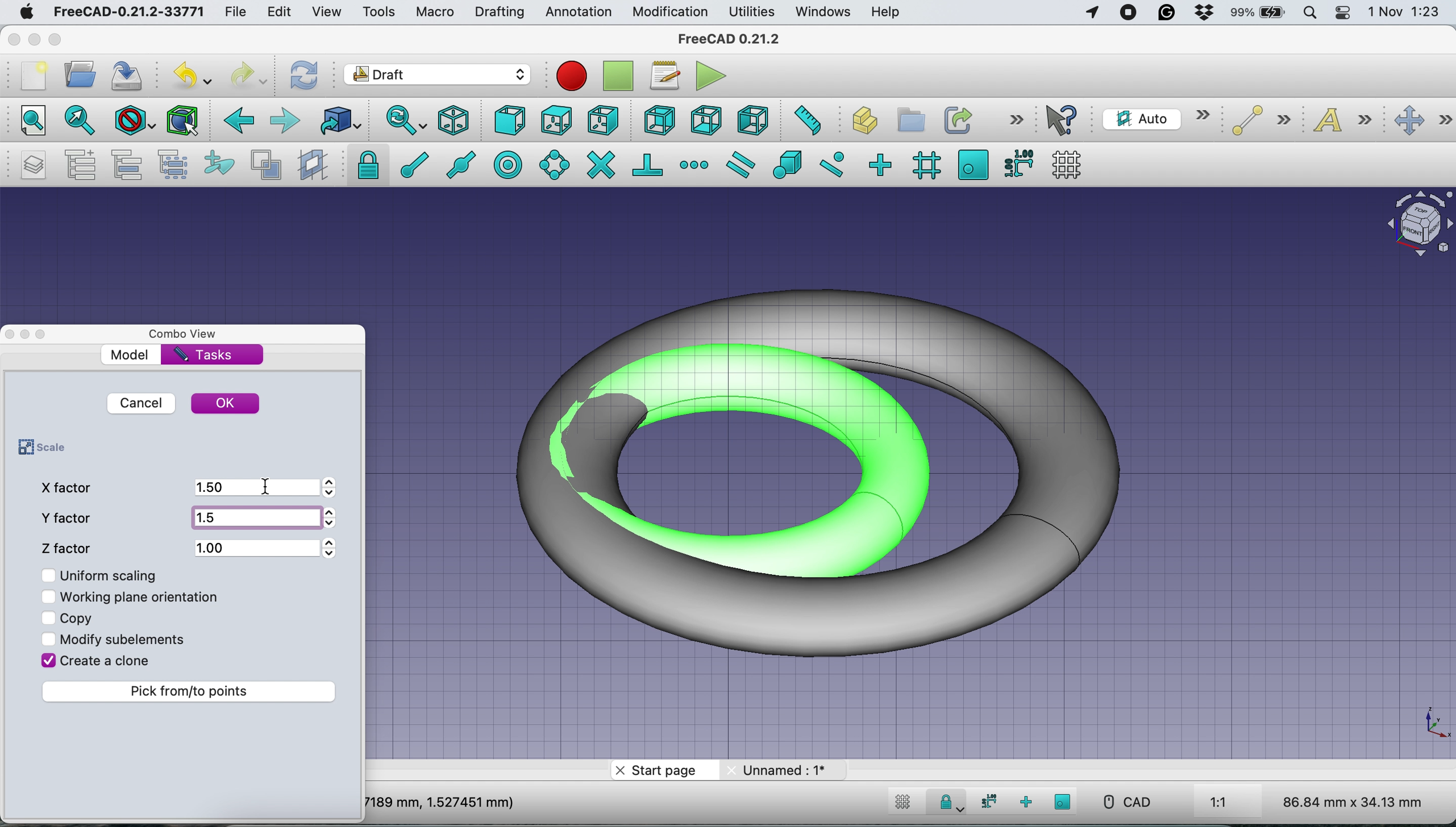  What do you see at coordinates (555, 164) in the screenshot?
I see `snap angle` at bounding box center [555, 164].